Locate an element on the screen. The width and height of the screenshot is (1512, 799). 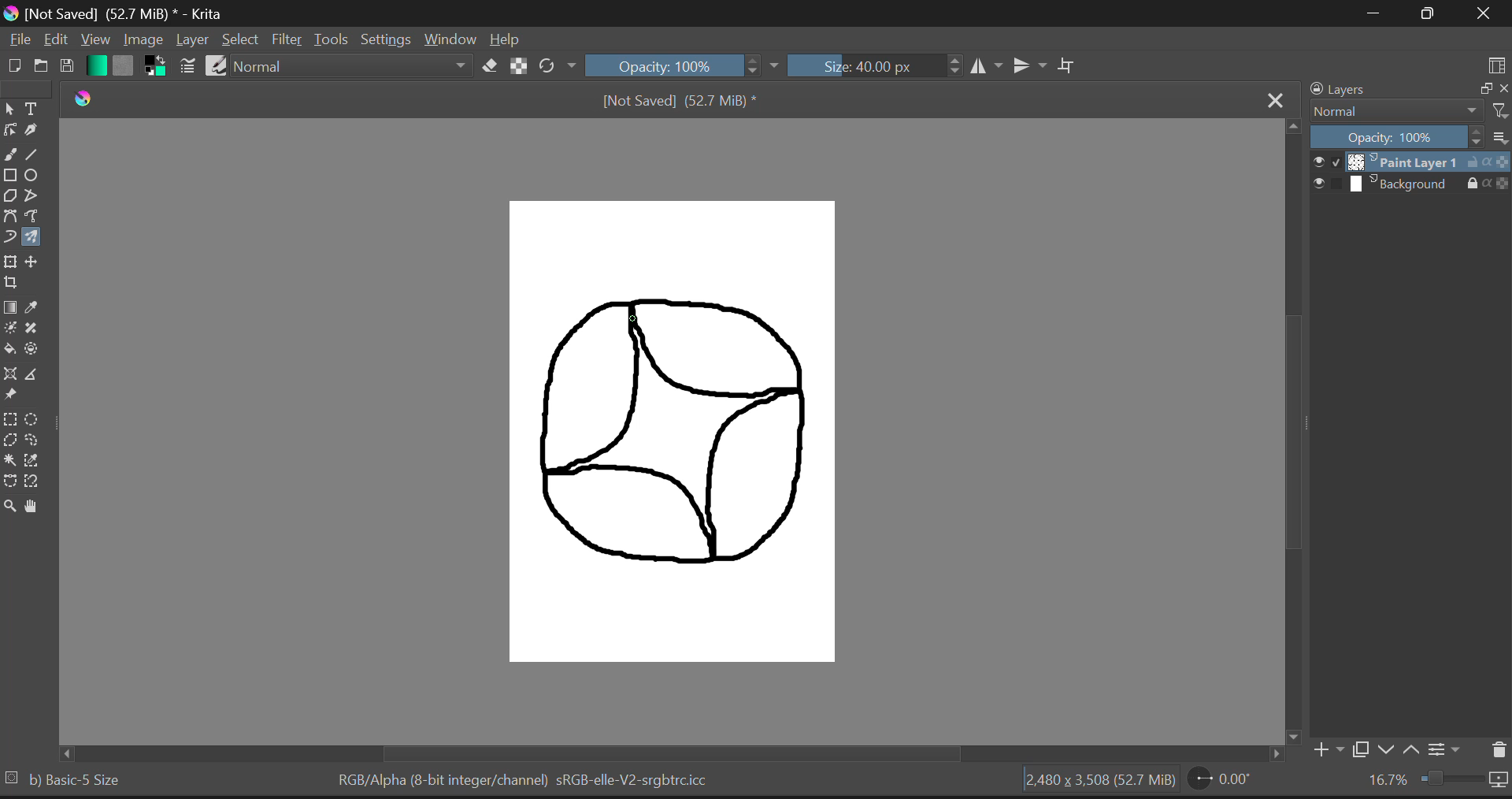
Line is located at coordinates (35, 152).